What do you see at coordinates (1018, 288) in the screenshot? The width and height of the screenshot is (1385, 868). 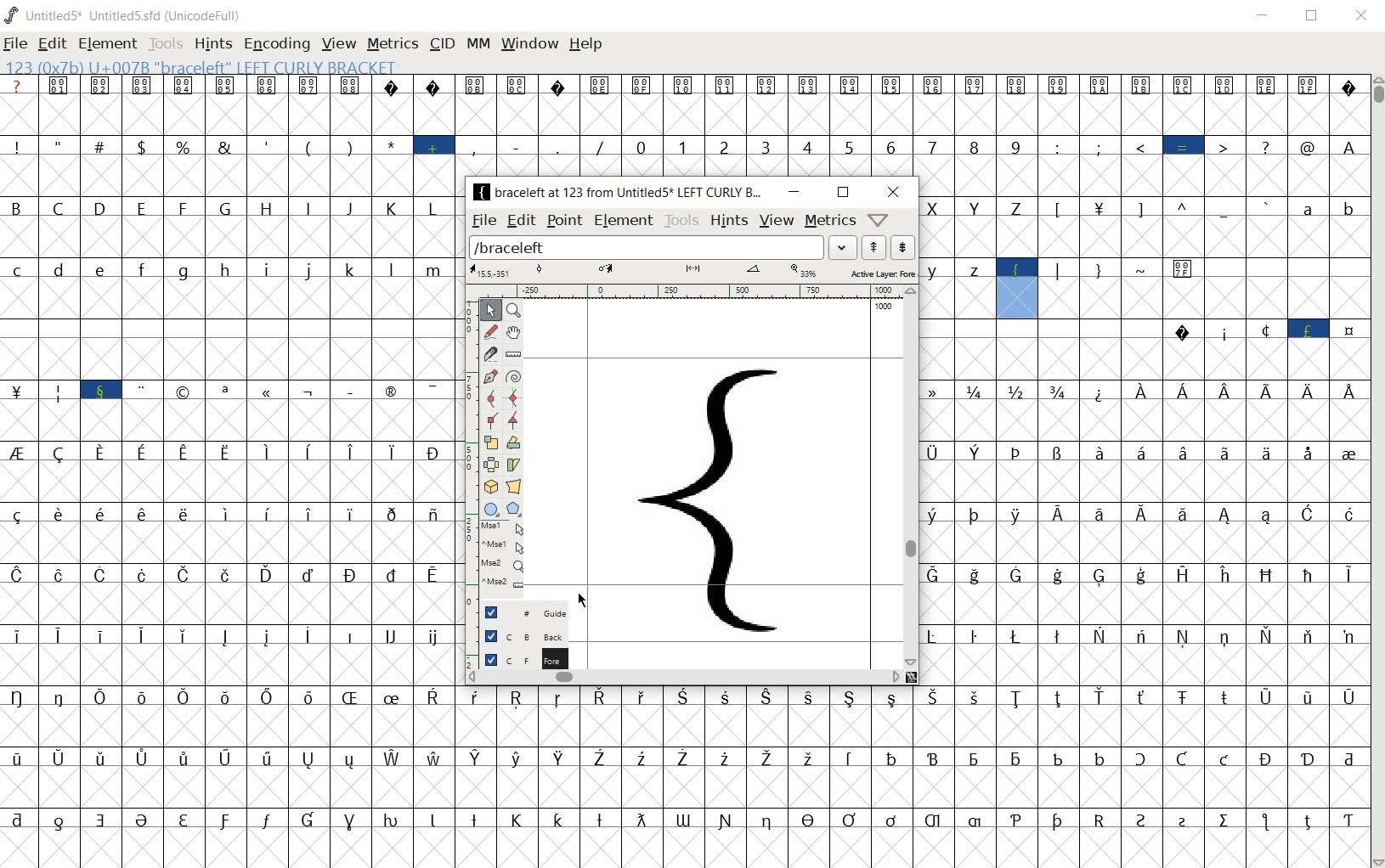 I see `123 (0x7b) U+007B "braceleft" LEFT CURLY BRACKET` at bounding box center [1018, 288].